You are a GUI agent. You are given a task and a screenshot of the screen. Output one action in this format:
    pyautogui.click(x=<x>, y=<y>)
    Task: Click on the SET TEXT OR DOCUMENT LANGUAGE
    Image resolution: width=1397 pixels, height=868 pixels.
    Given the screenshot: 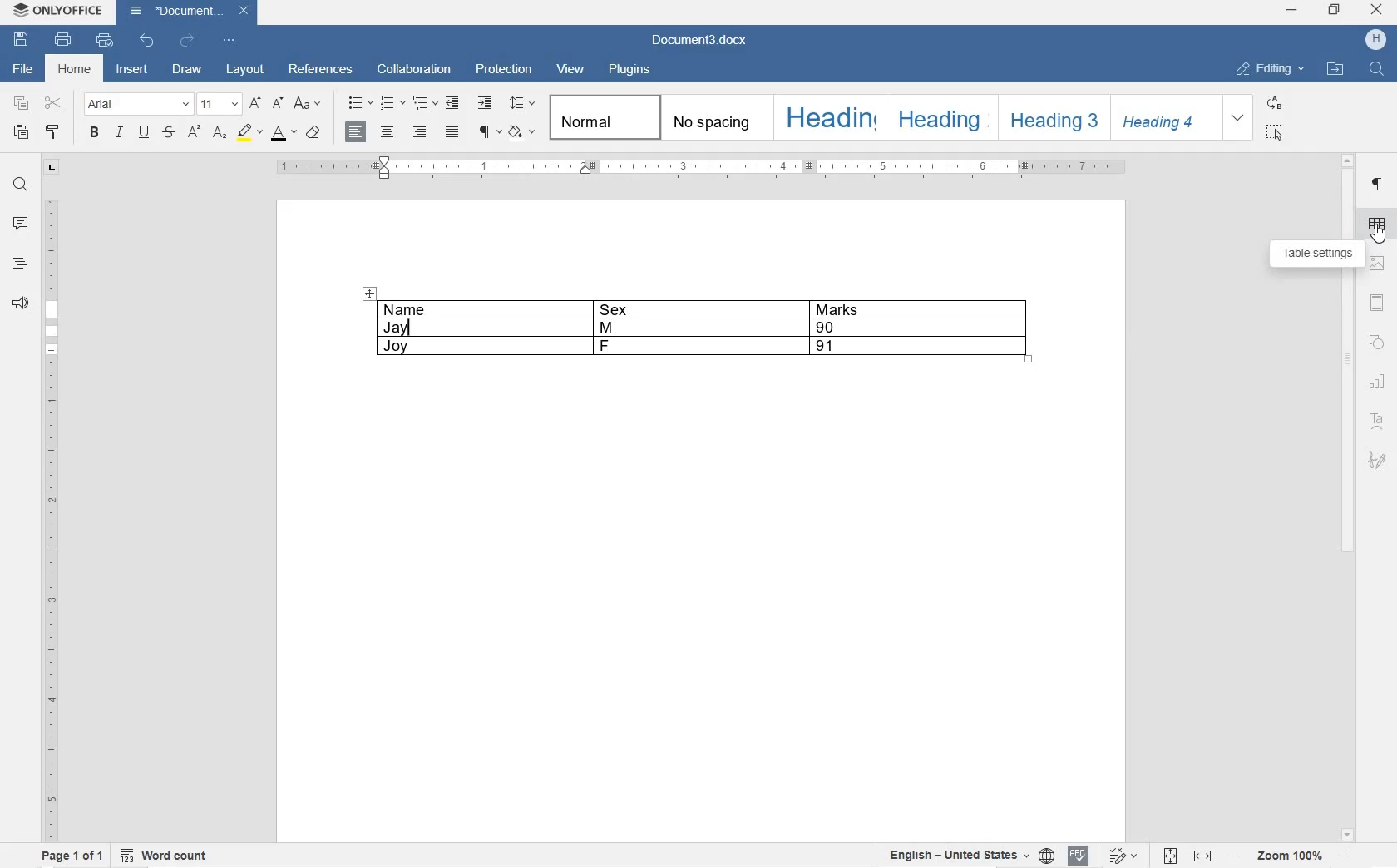 What is the action you would take?
    pyautogui.click(x=969, y=856)
    